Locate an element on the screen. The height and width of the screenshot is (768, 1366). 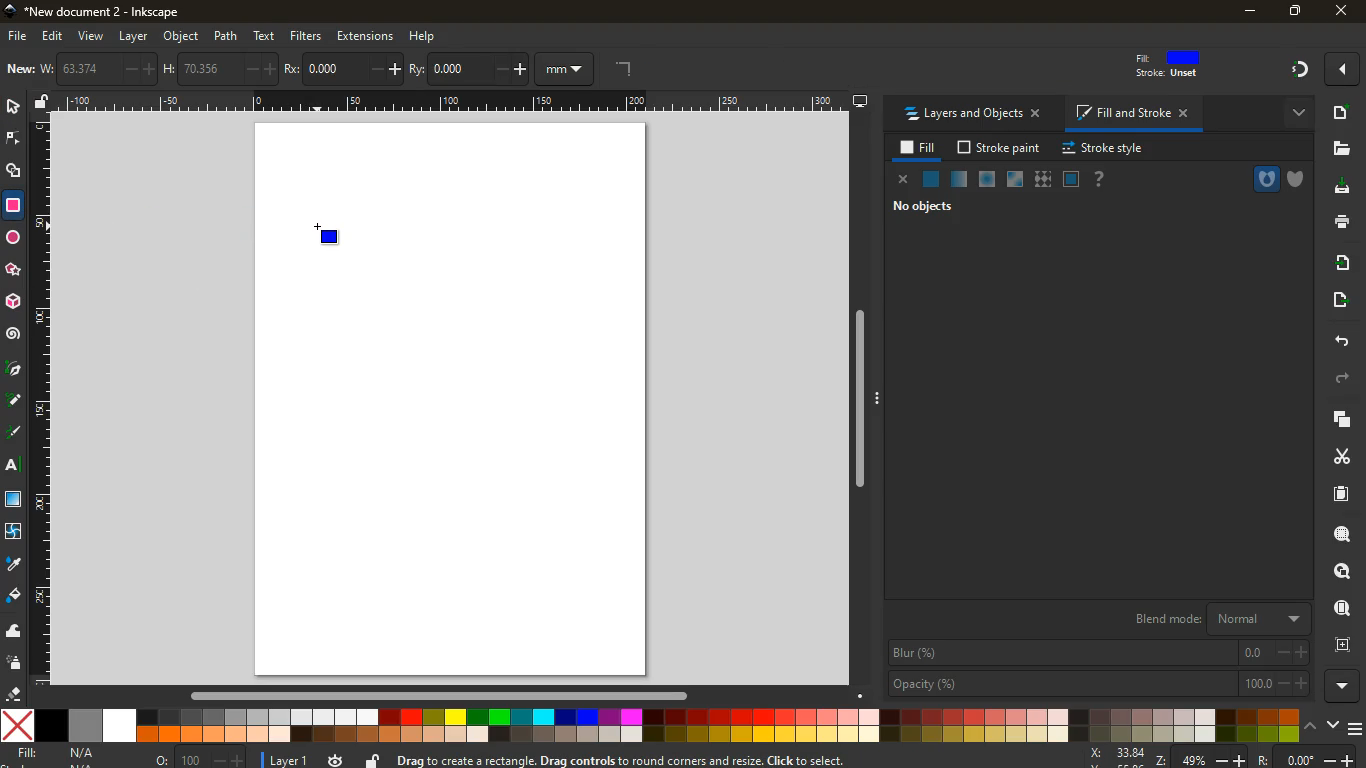
twist is located at coordinates (15, 533).